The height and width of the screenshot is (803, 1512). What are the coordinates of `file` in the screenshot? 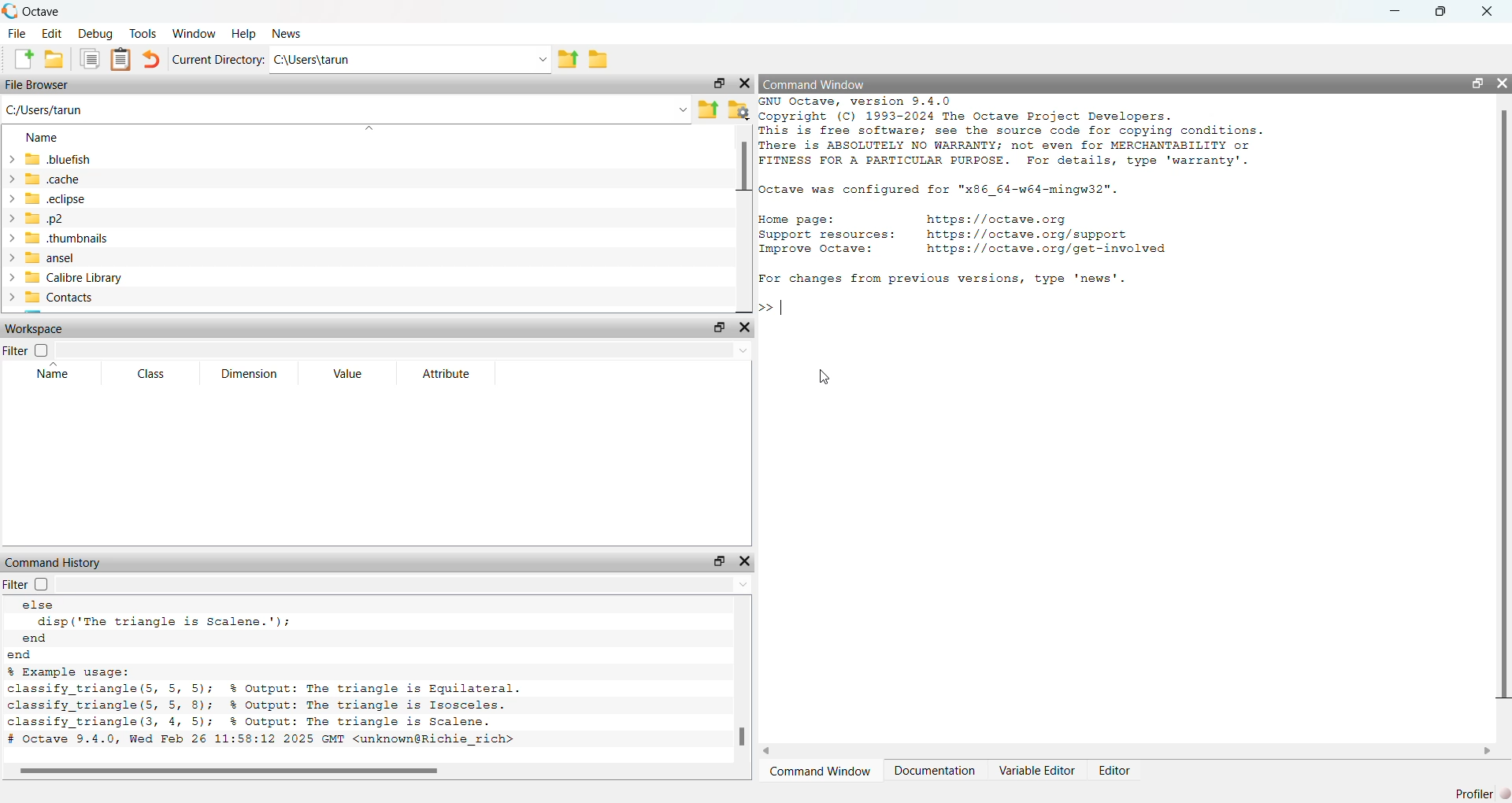 It's located at (14, 34).